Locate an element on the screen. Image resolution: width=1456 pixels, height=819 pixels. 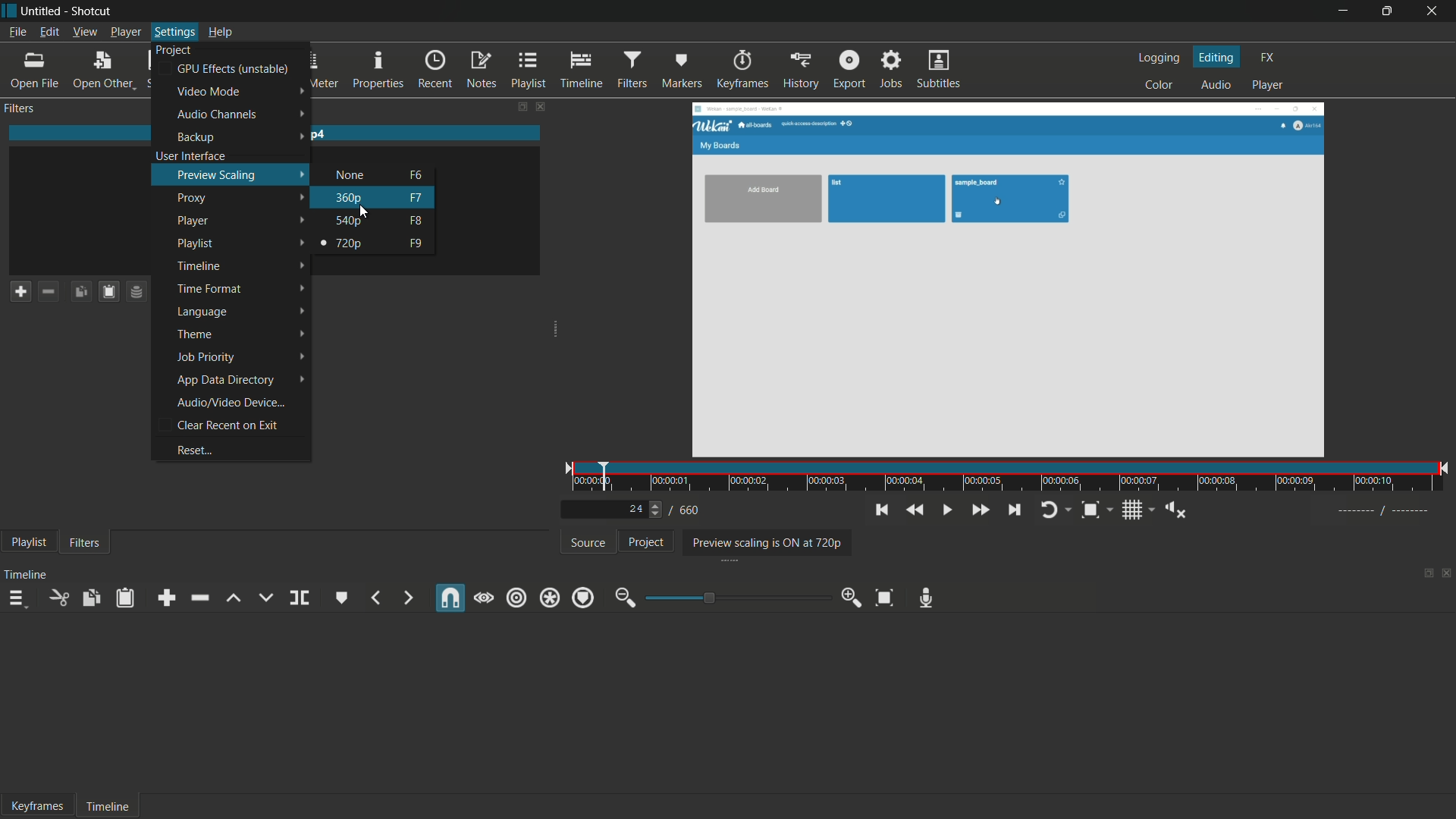
cut is located at coordinates (61, 598).